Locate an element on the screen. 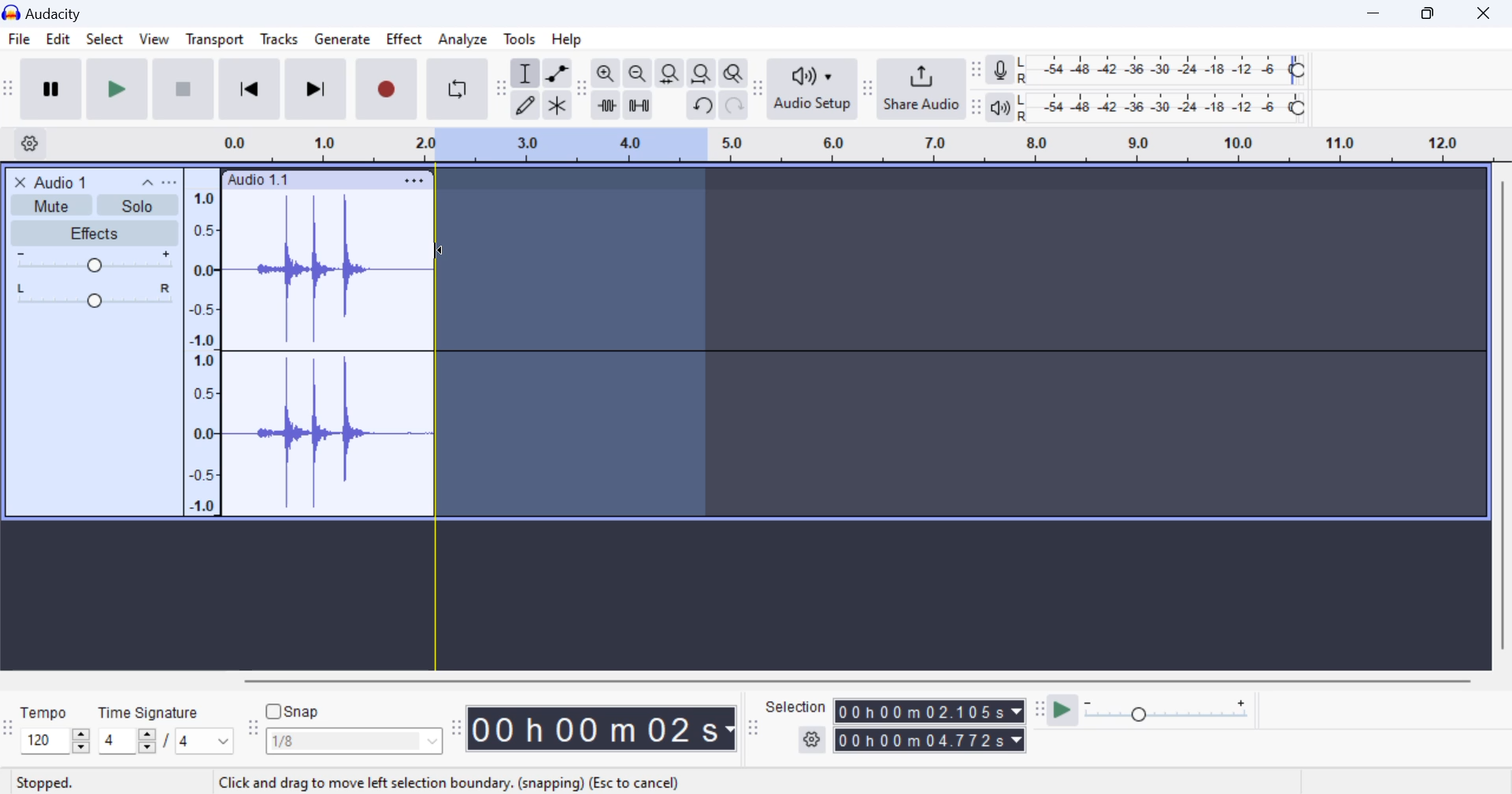 The image size is (1512, 794). envelop tool is located at coordinates (557, 75).